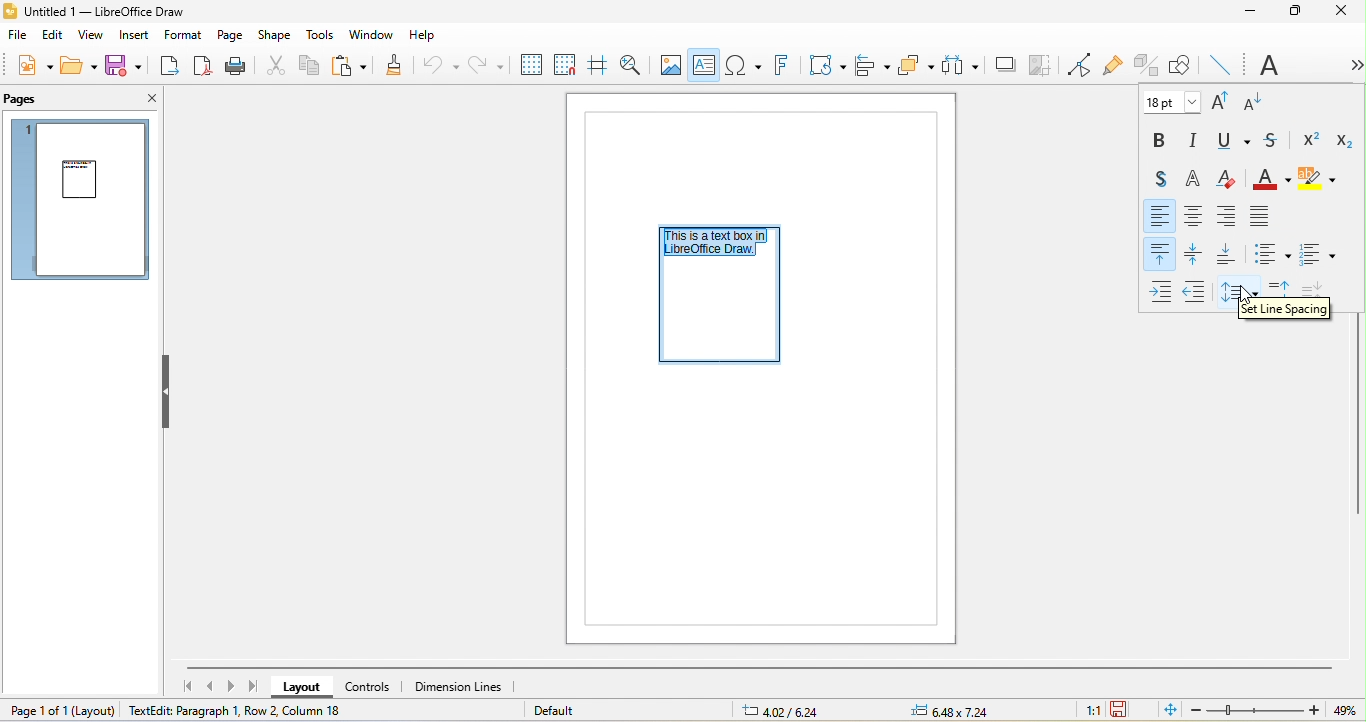 This screenshot has width=1366, height=722. What do you see at coordinates (1245, 296) in the screenshot?
I see `cursor movement` at bounding box center [1245, 296].